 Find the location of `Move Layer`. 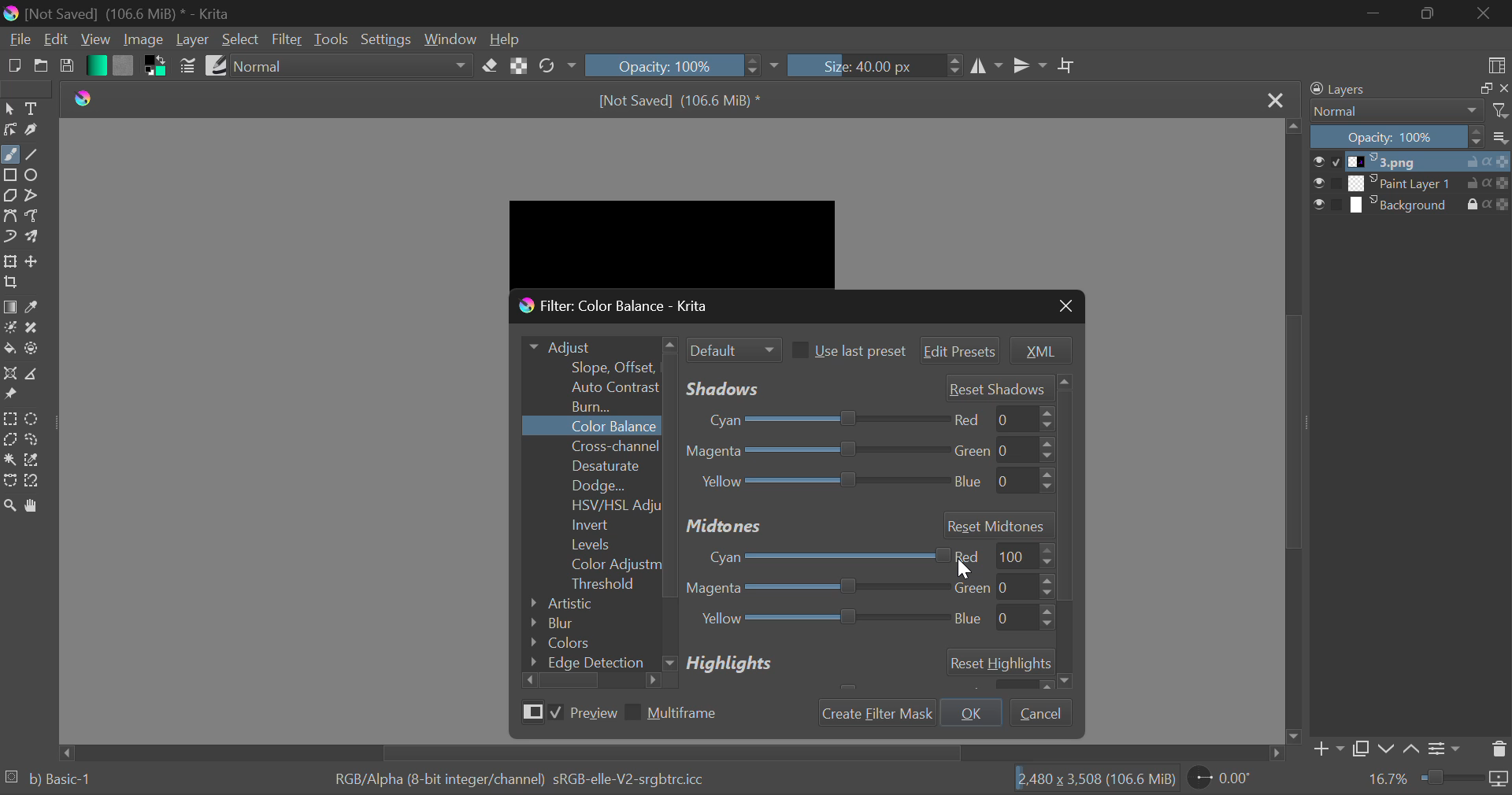

Move Layer is located at coordinates (36, 263).